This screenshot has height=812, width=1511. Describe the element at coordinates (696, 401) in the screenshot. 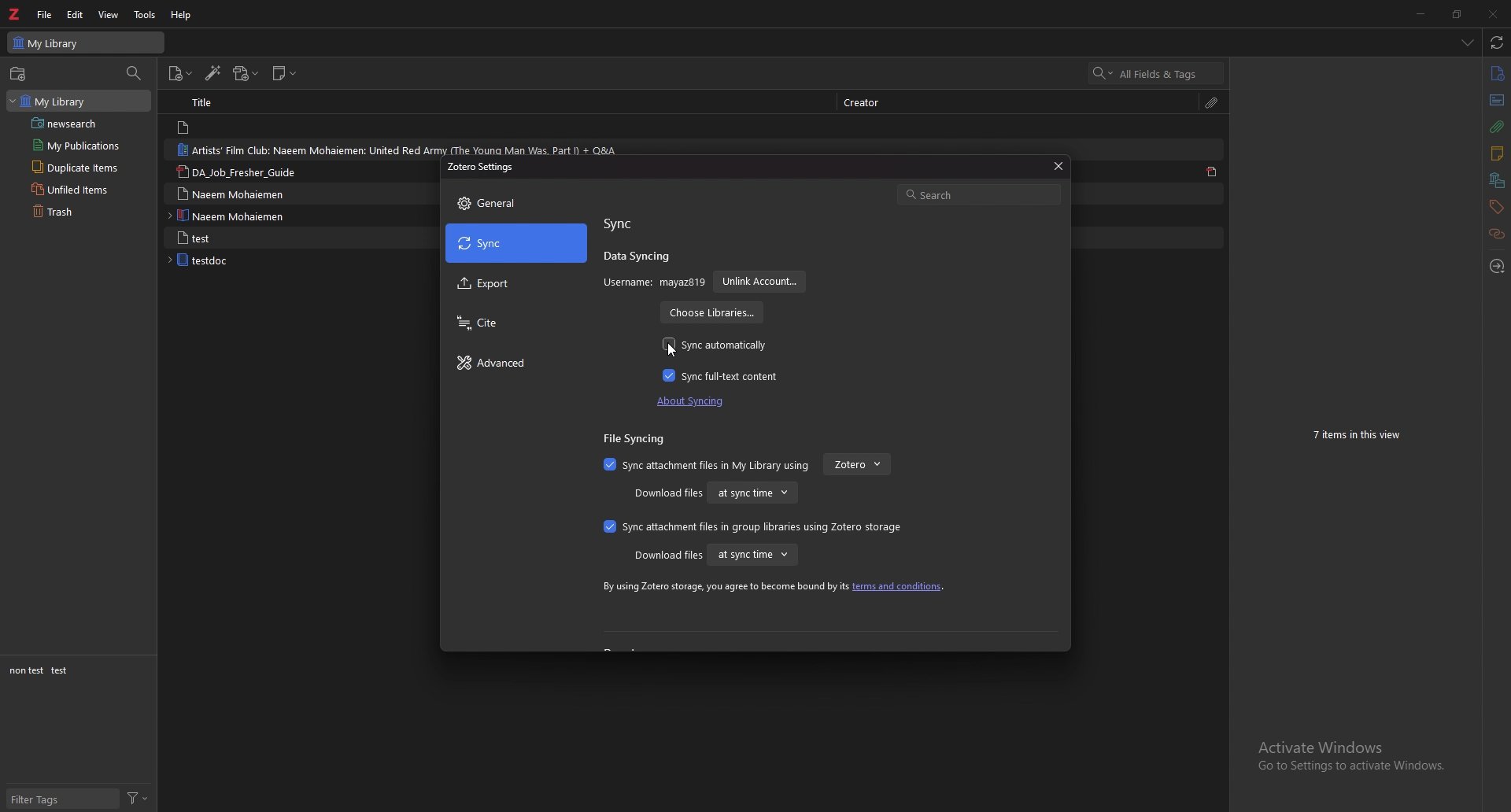

I see `about syncing` at that location.